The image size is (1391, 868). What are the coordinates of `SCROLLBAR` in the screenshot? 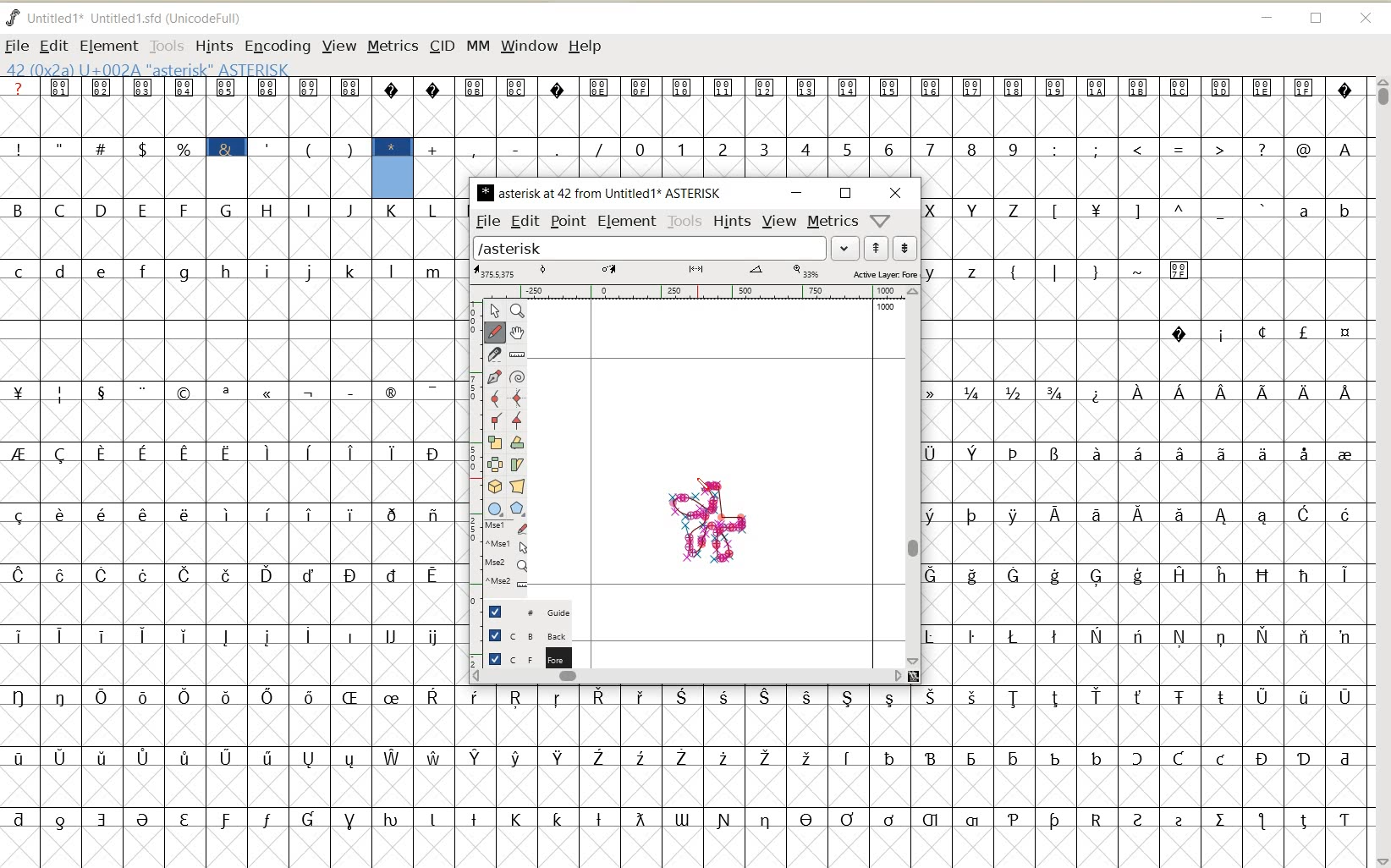 It's located at (1381, 471).